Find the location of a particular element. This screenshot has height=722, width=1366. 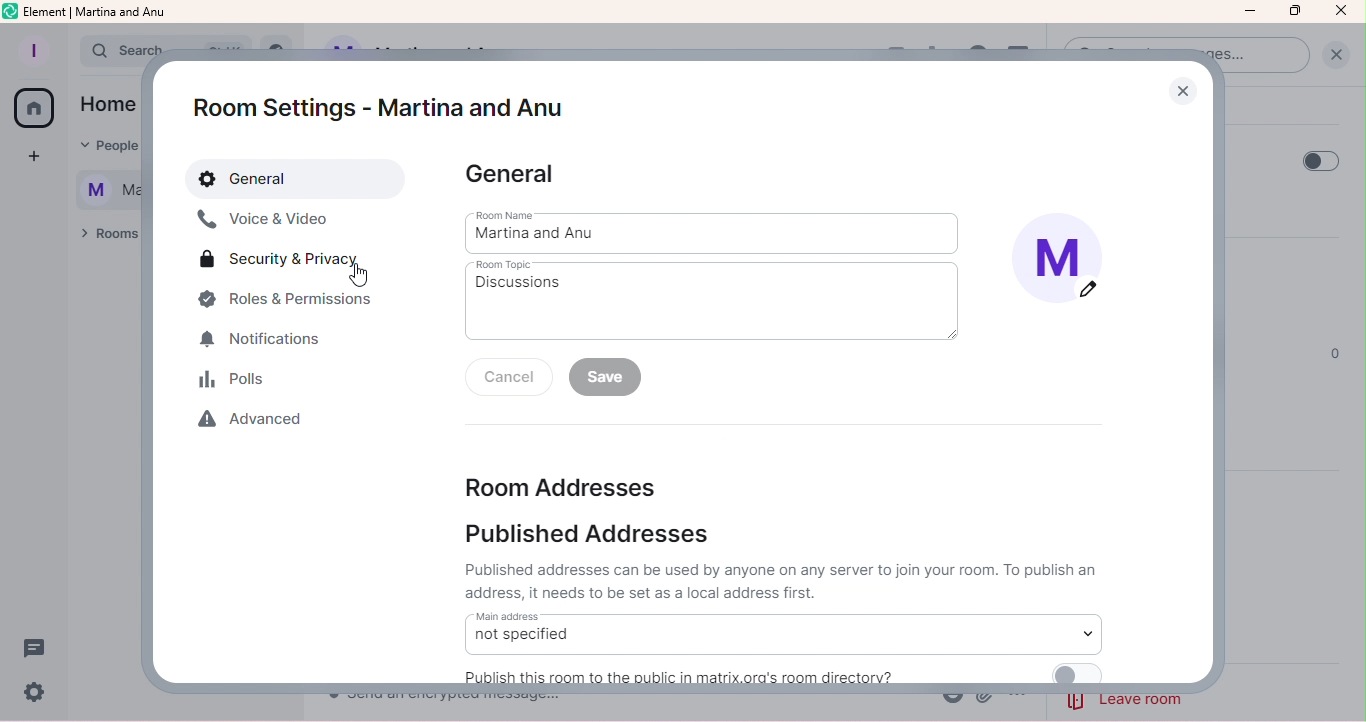

text is located at coordinates (679, 678).